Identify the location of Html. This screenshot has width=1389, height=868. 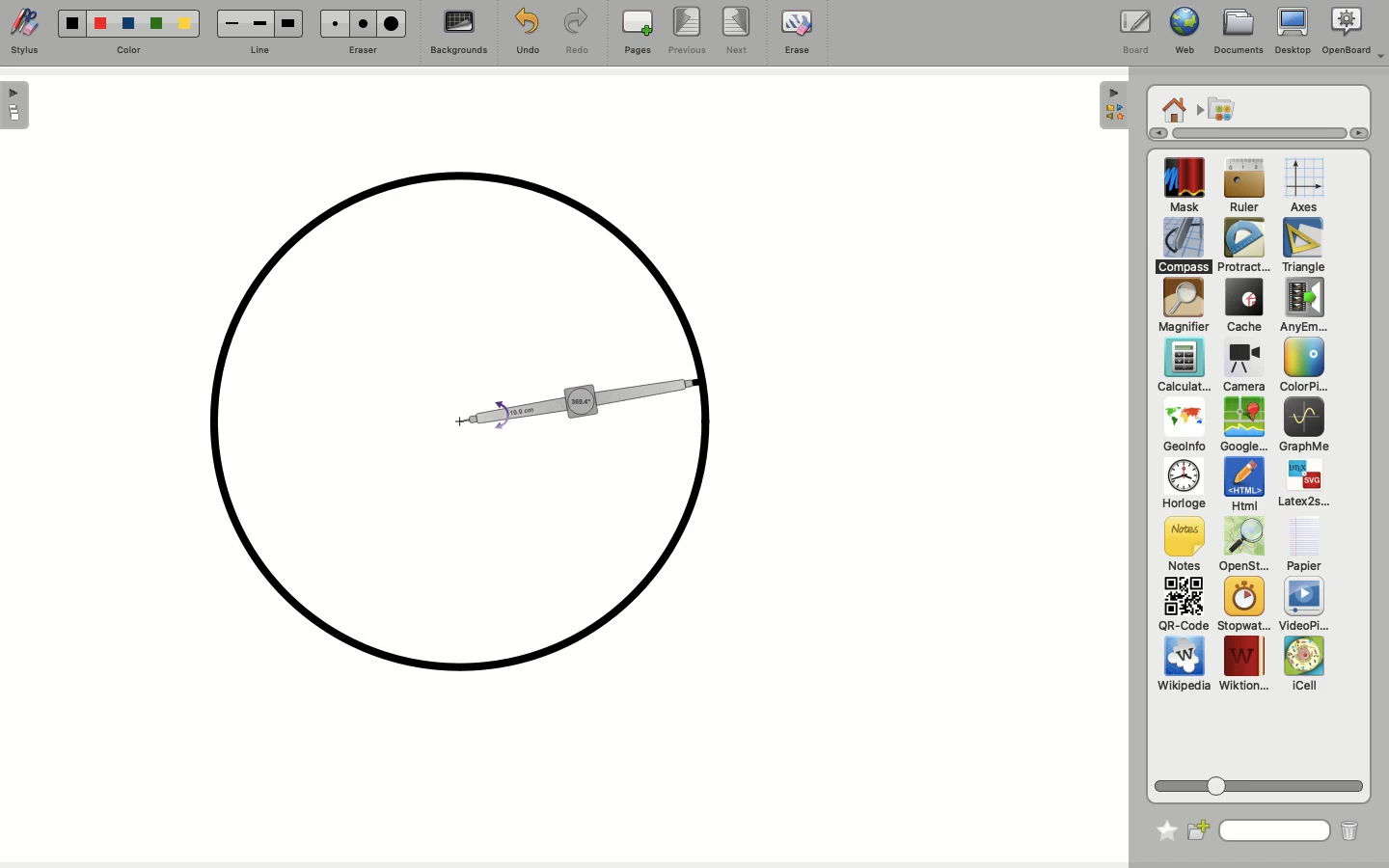
(1242, 486).